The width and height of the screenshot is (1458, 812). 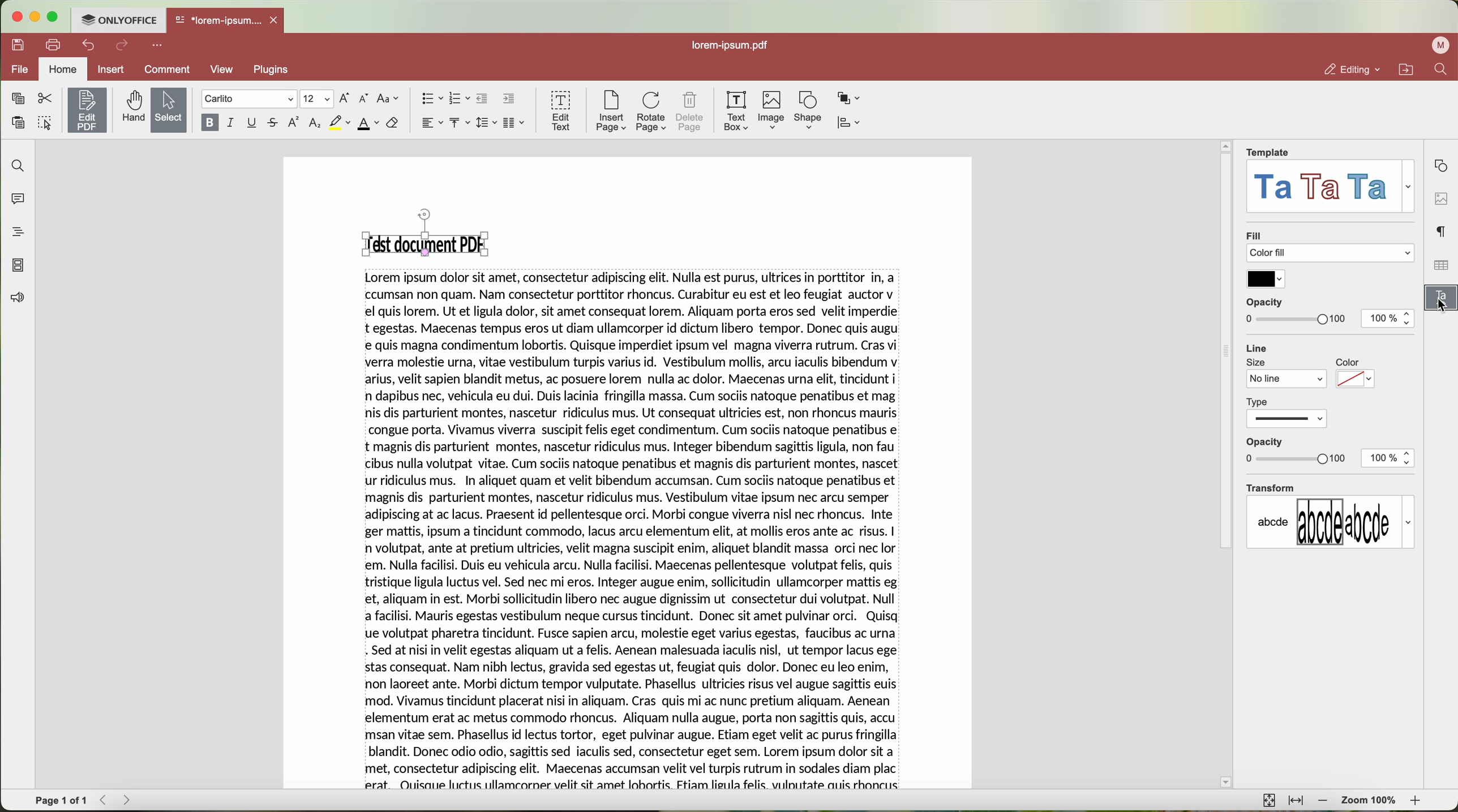 I want to click on zoom out, so click(x=1323, y=801).